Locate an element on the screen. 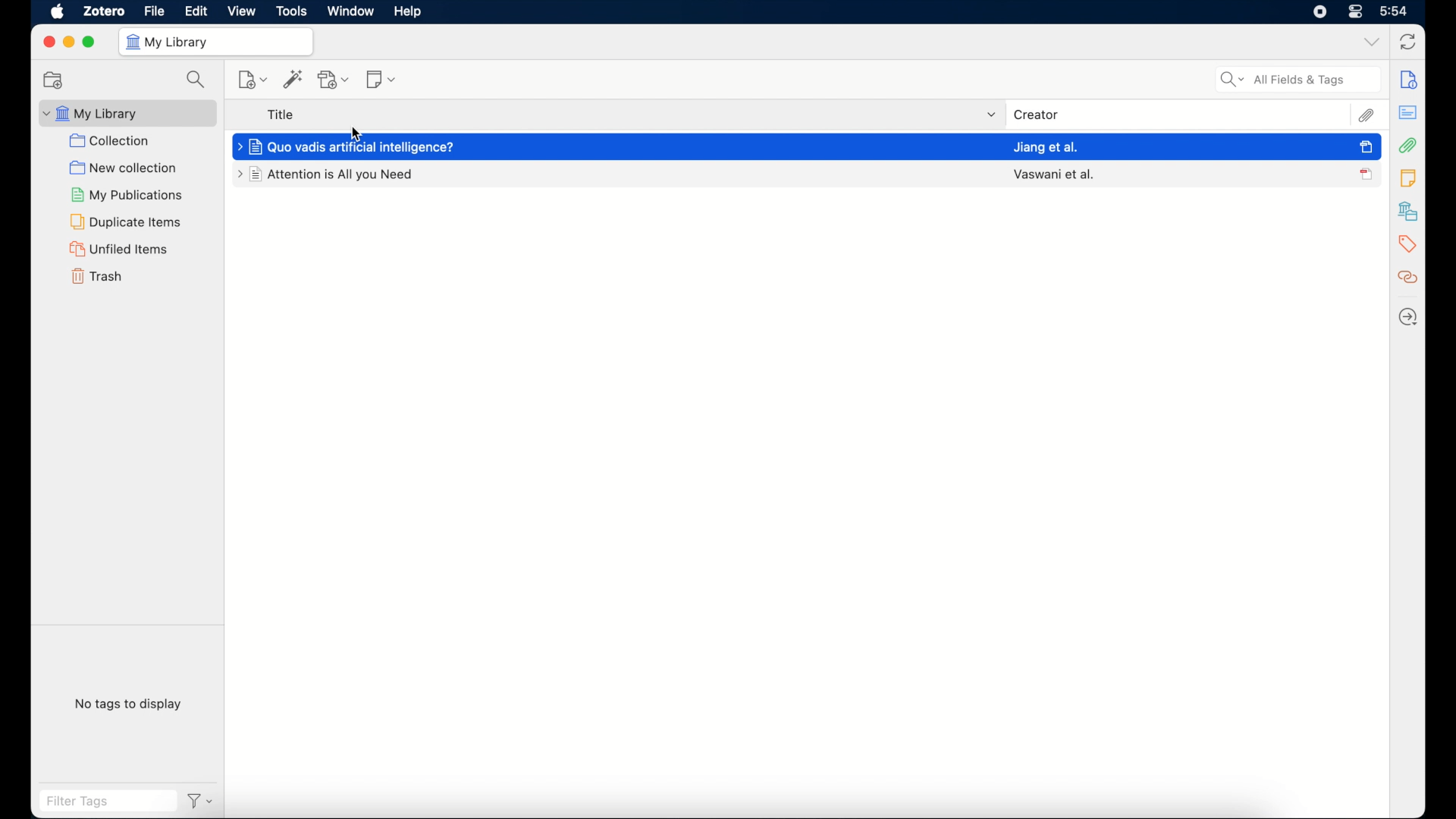 This screenshot has width=1456, height=819. duplicate items is located at coordinates (132, 222).